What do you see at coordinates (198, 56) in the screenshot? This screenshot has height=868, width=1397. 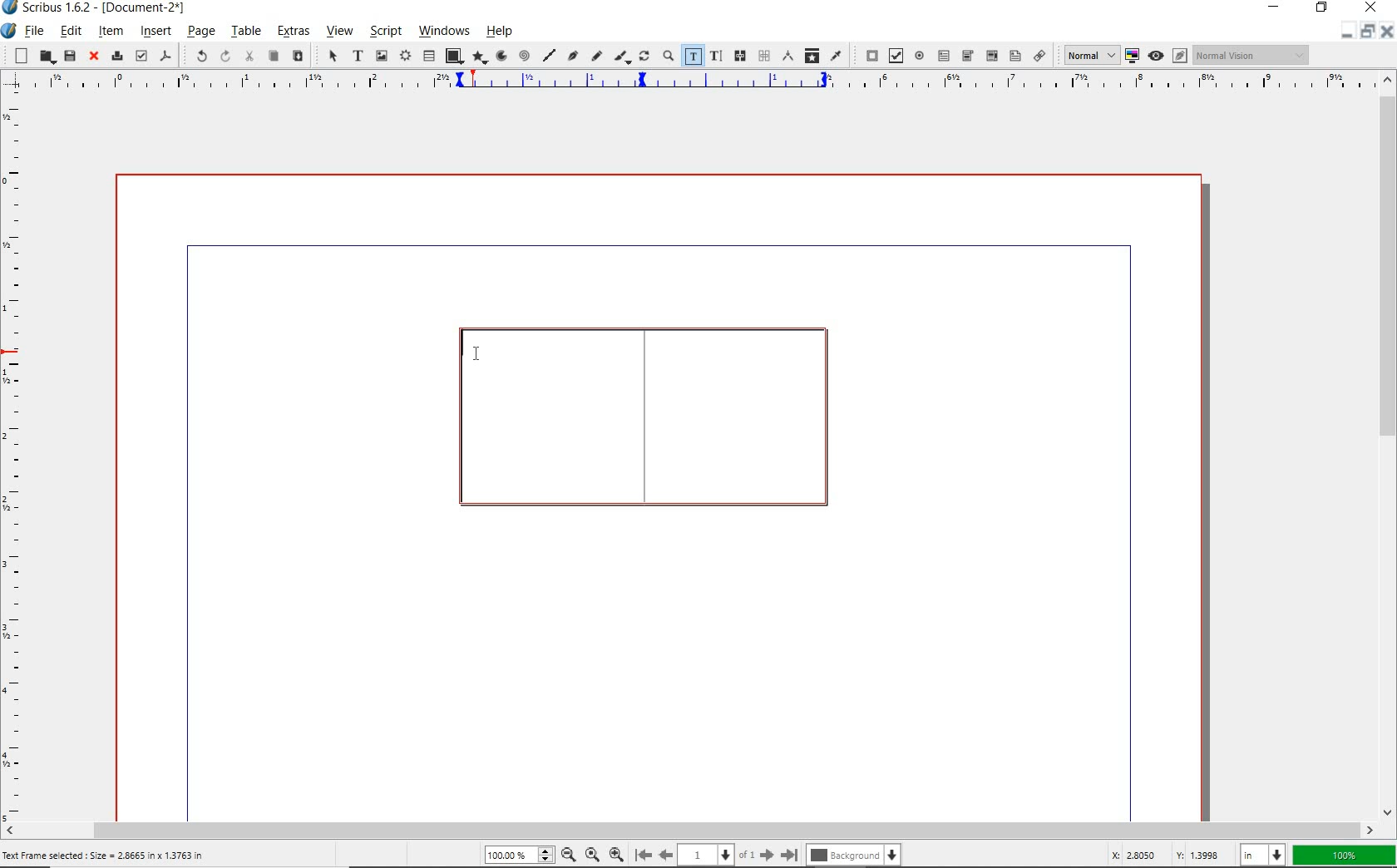 I see `undo` at bounding box center [198, 56].